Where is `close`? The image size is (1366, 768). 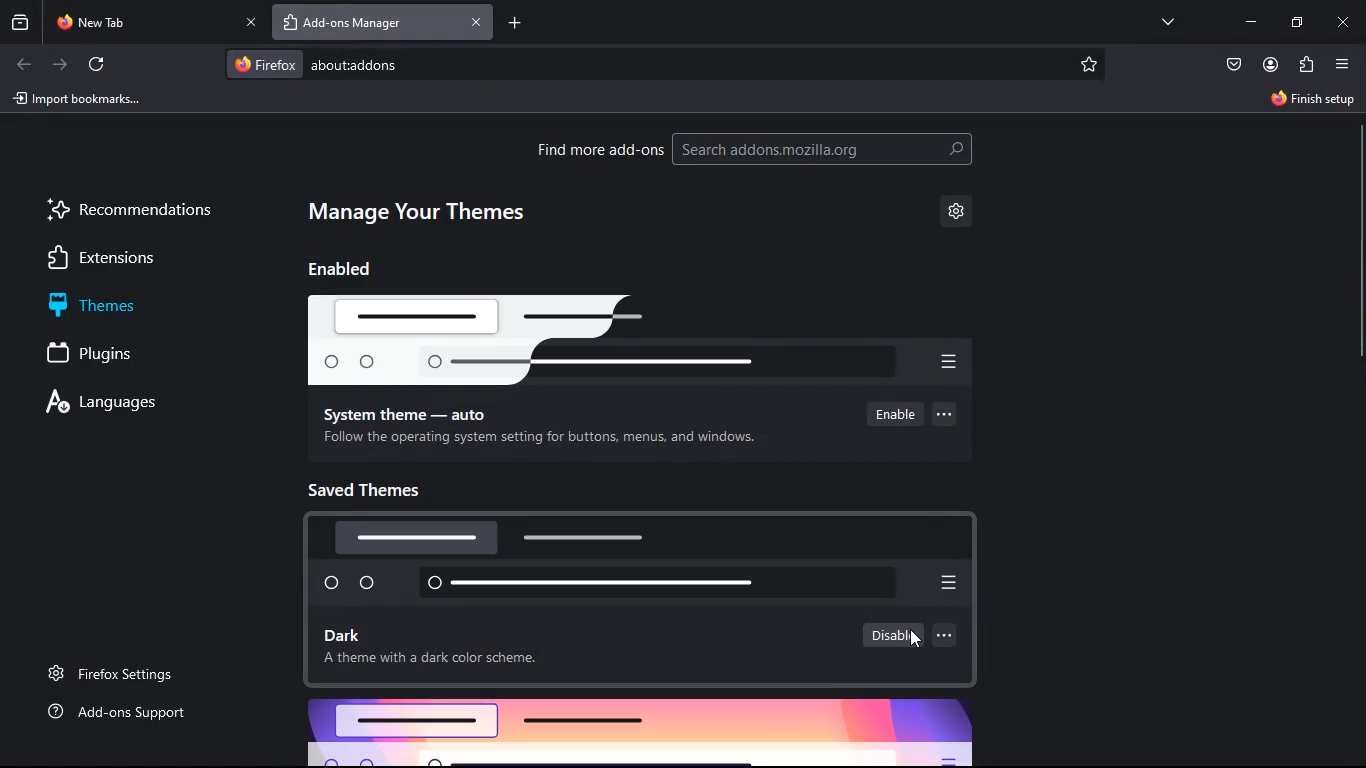 close is located at coordinates (476, 23).